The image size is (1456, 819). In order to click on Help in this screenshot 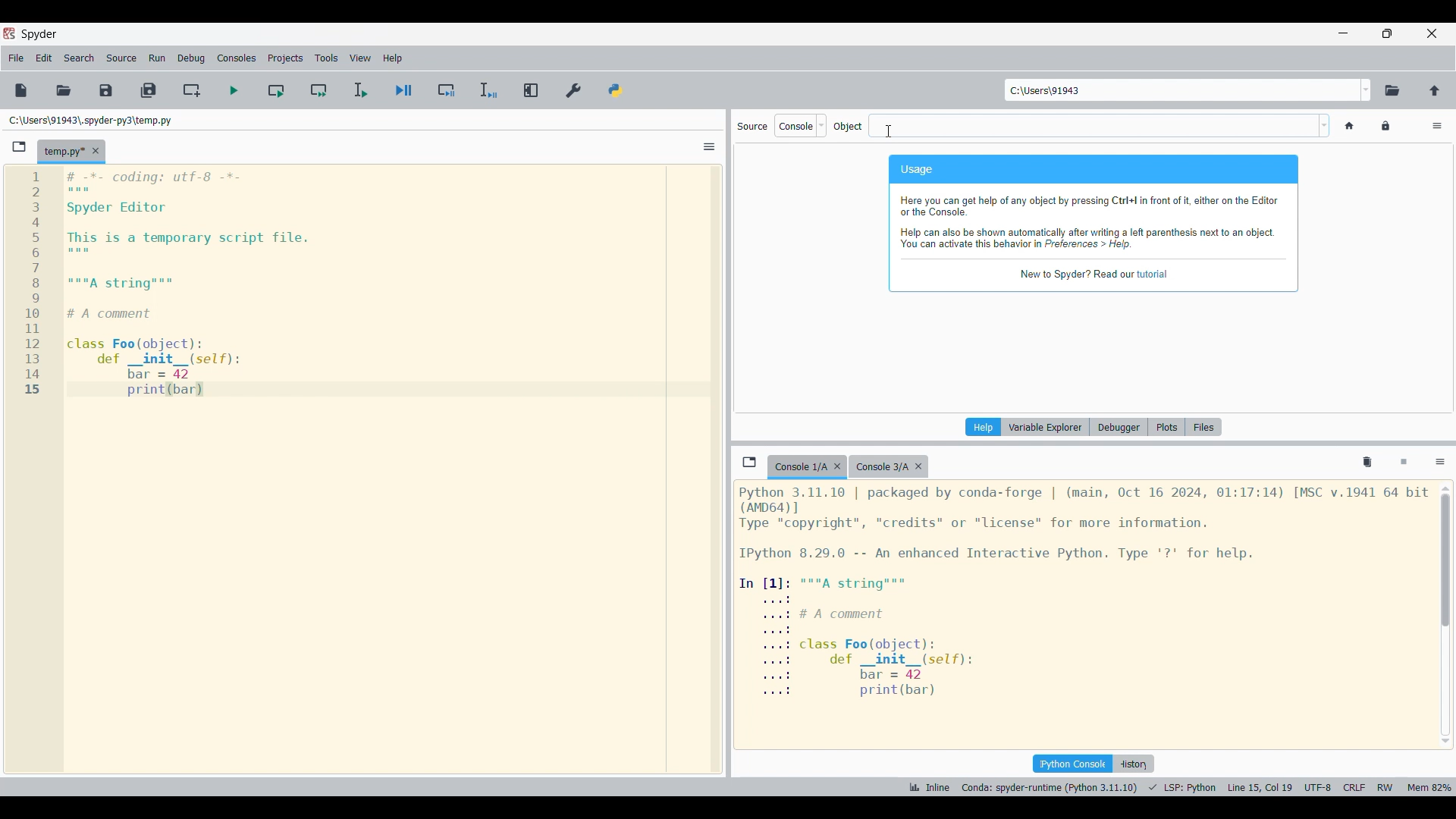, I will do `click(981, 427)`.